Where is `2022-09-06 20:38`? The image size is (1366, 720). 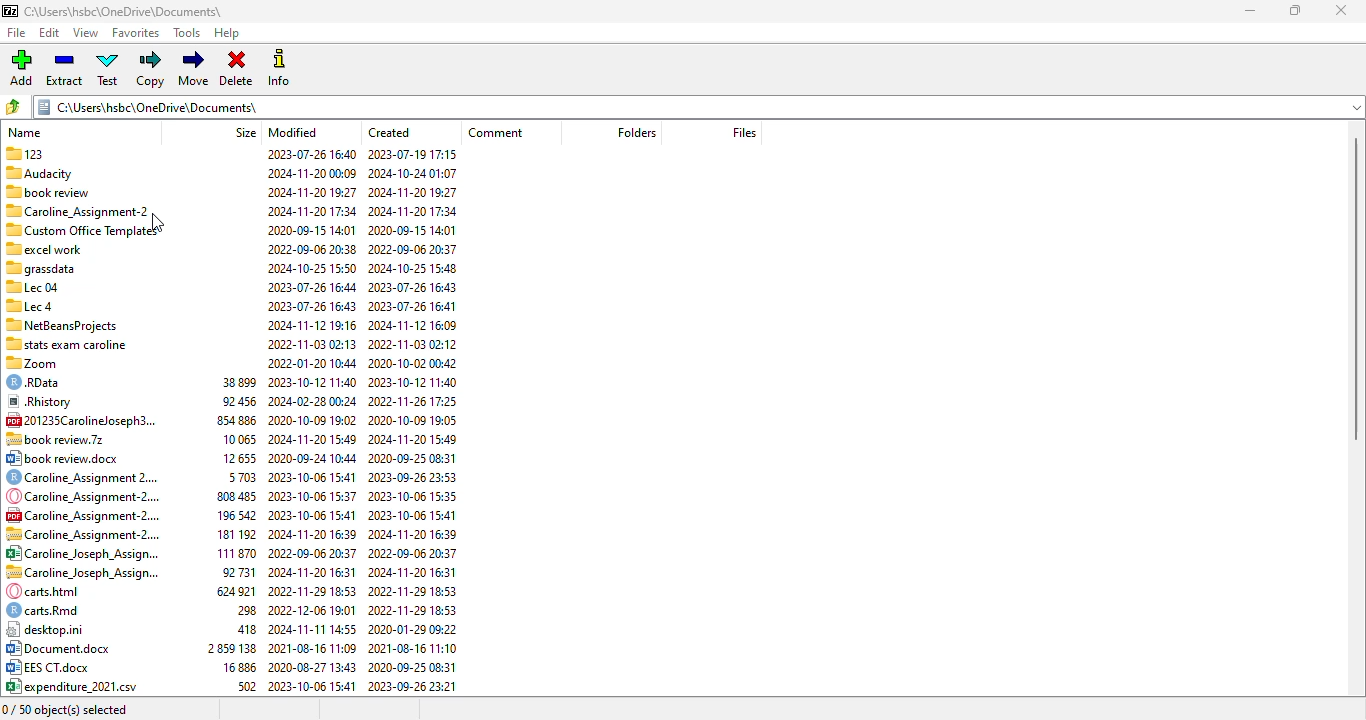 2022-09-06 20:38 is located at coordinates (310, 249).